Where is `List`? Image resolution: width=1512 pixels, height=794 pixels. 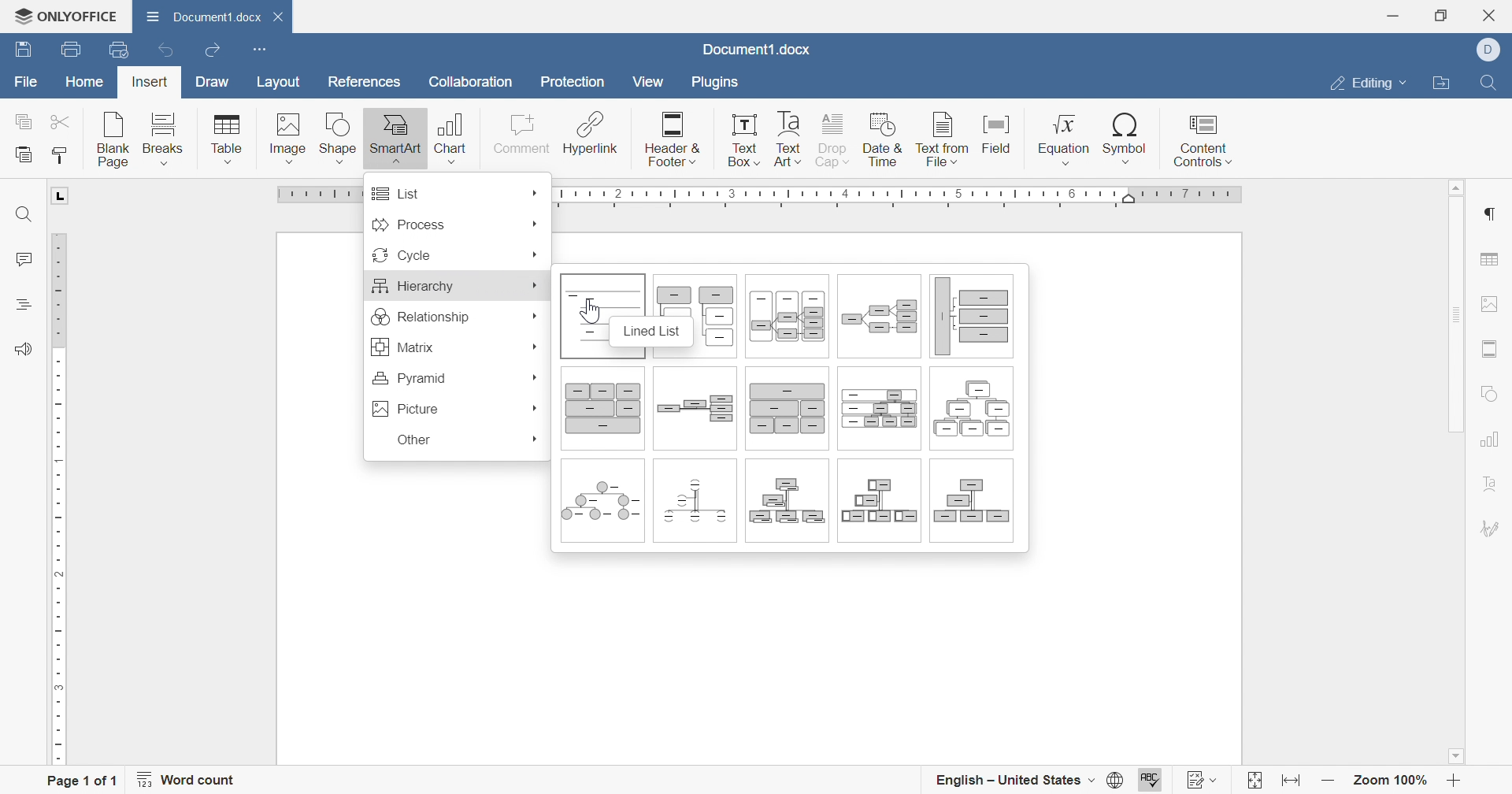
List is located at coordinates (396, 194).